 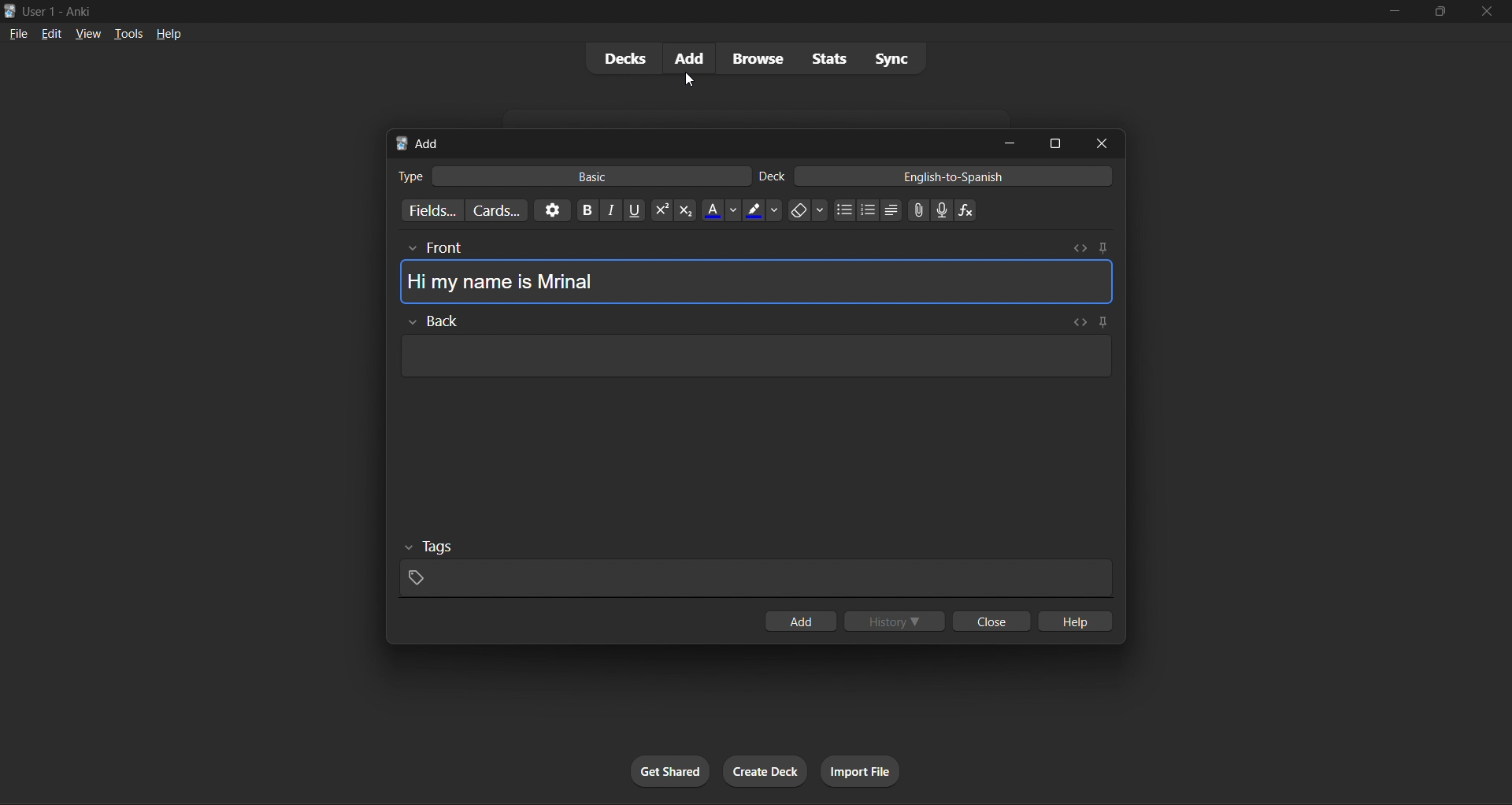 I want to click on close, so click(x=1106, y=143).